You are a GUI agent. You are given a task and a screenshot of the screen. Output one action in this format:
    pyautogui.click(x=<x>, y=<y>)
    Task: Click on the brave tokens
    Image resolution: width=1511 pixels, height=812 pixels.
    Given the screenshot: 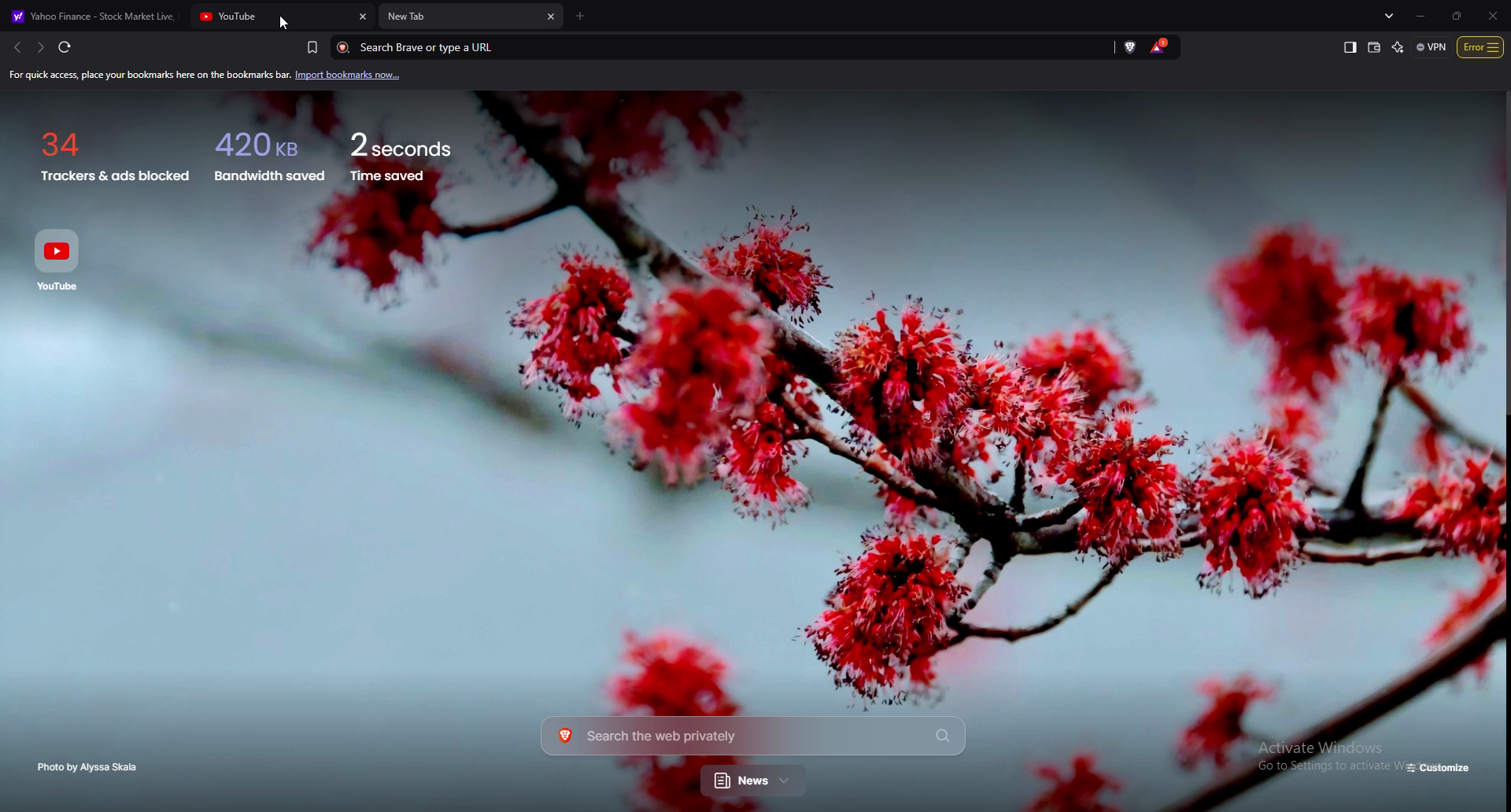 What is the action you would take?
    pyautogui.click(x=1160, y=46)
    